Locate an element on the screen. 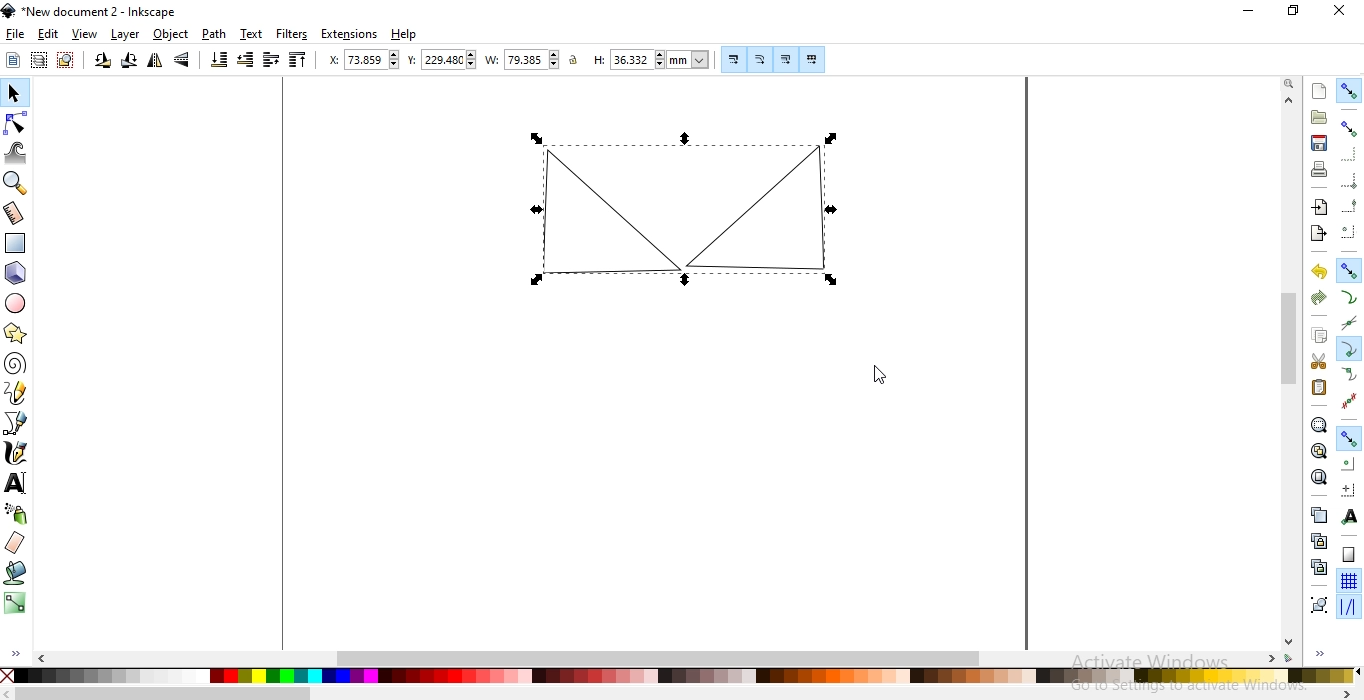 The image size is (1364, 700). objects is located at coordinates (173, 34).